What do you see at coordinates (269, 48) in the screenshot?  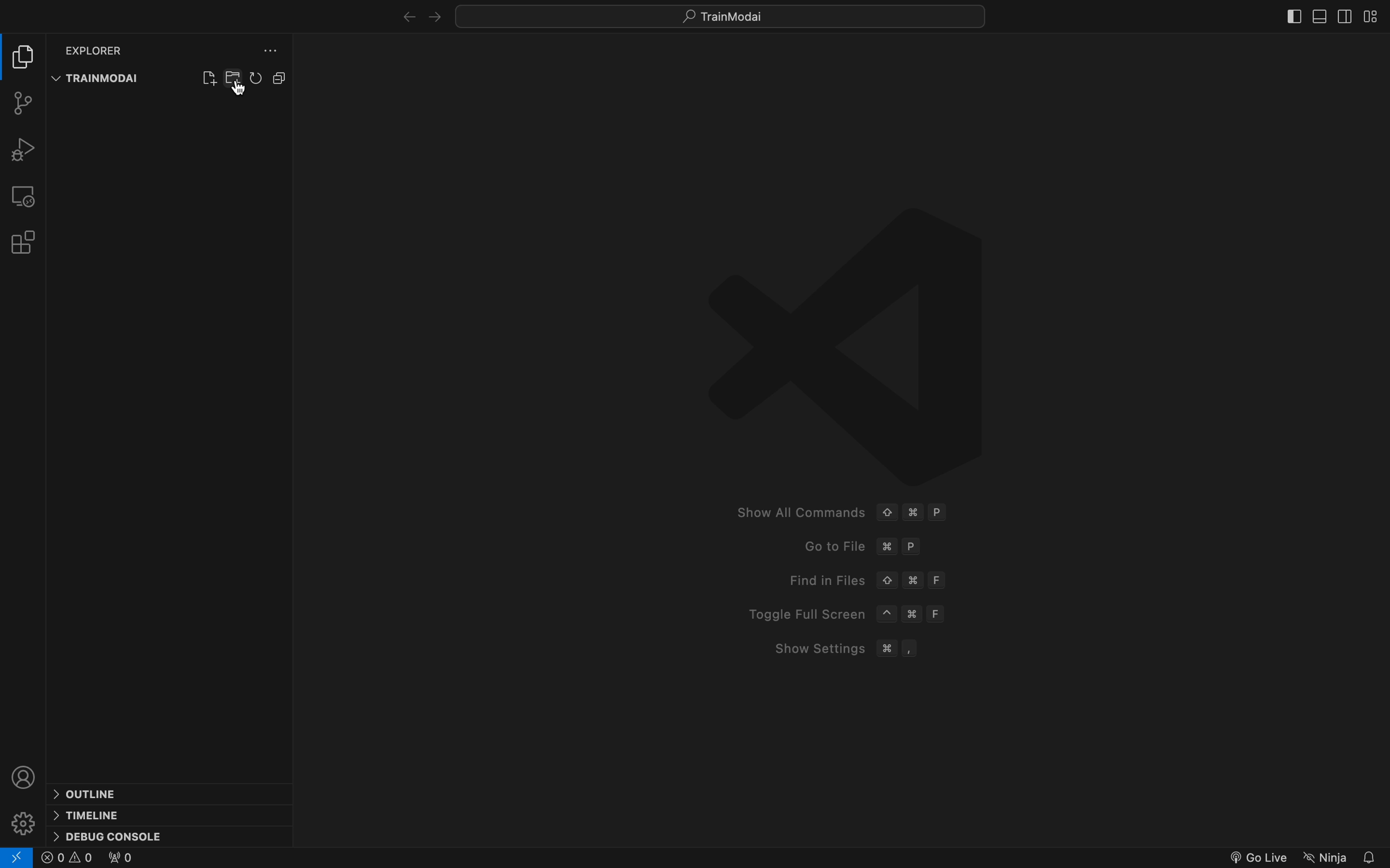 I see `explore settings` at bounding box center [269, 48].